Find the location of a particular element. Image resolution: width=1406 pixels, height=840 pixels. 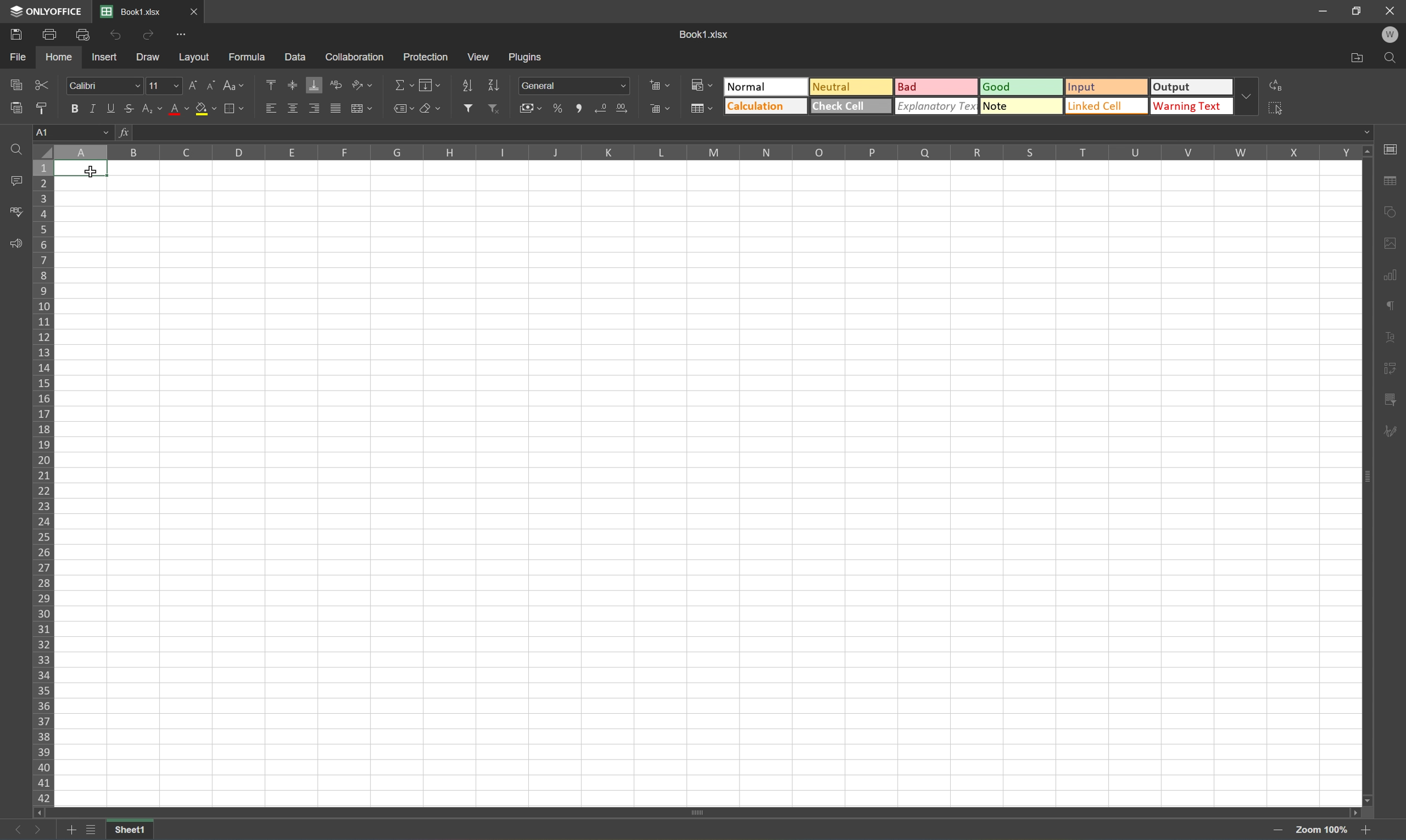

Next is located at coordinates (39, 830).